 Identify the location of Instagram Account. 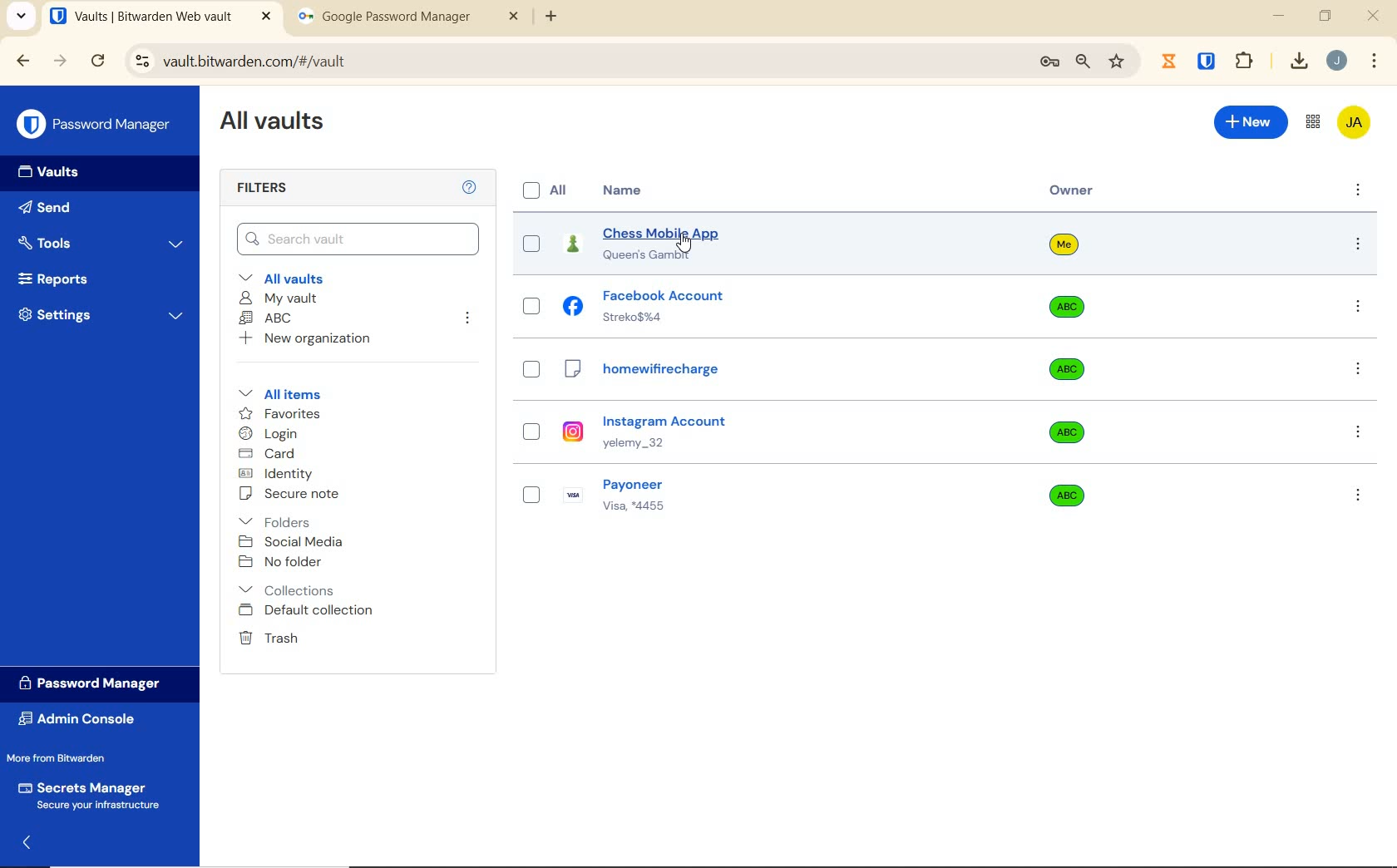
(671, 418).